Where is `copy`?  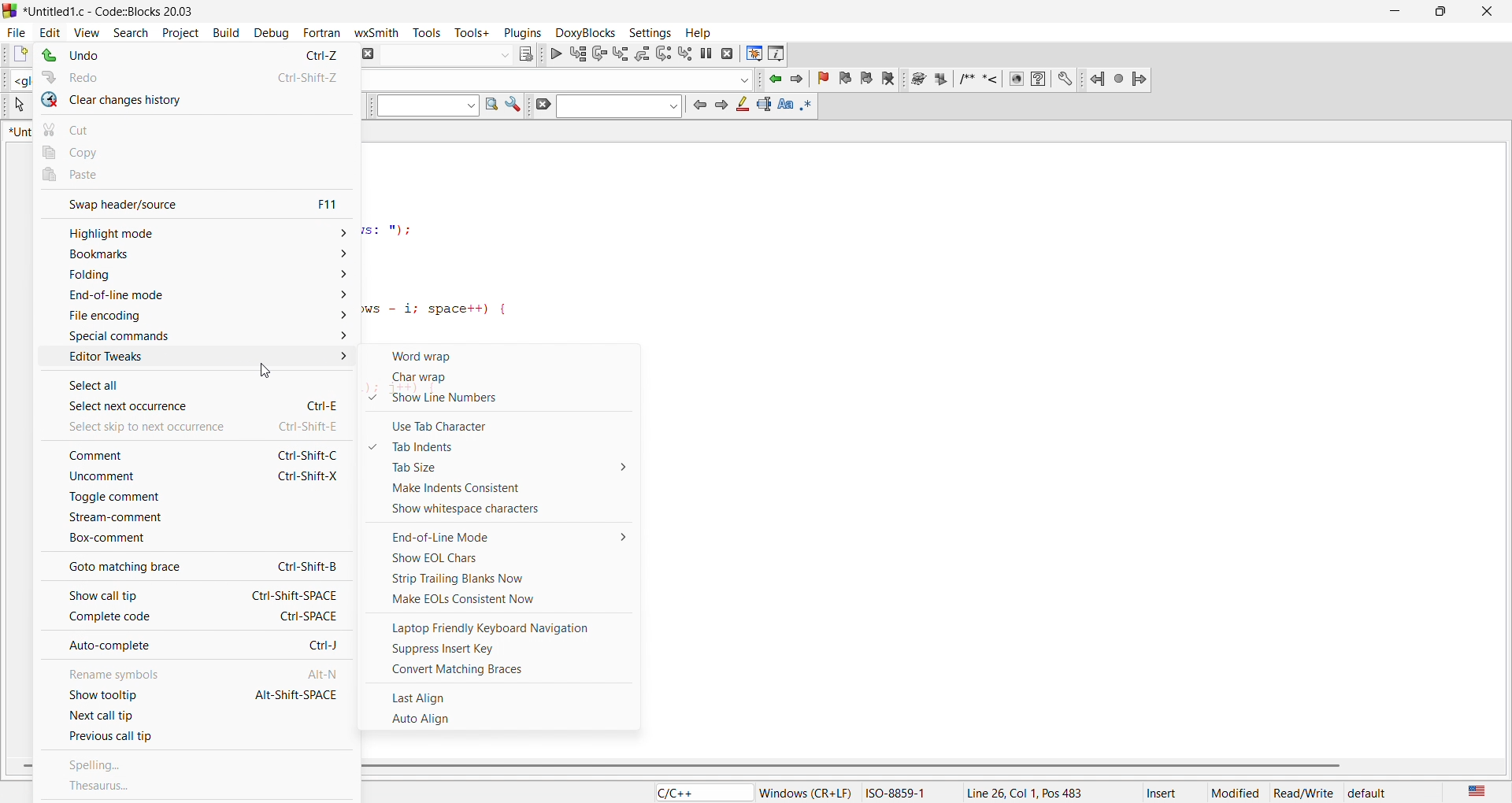
copy is located at coordinates (195, 152).